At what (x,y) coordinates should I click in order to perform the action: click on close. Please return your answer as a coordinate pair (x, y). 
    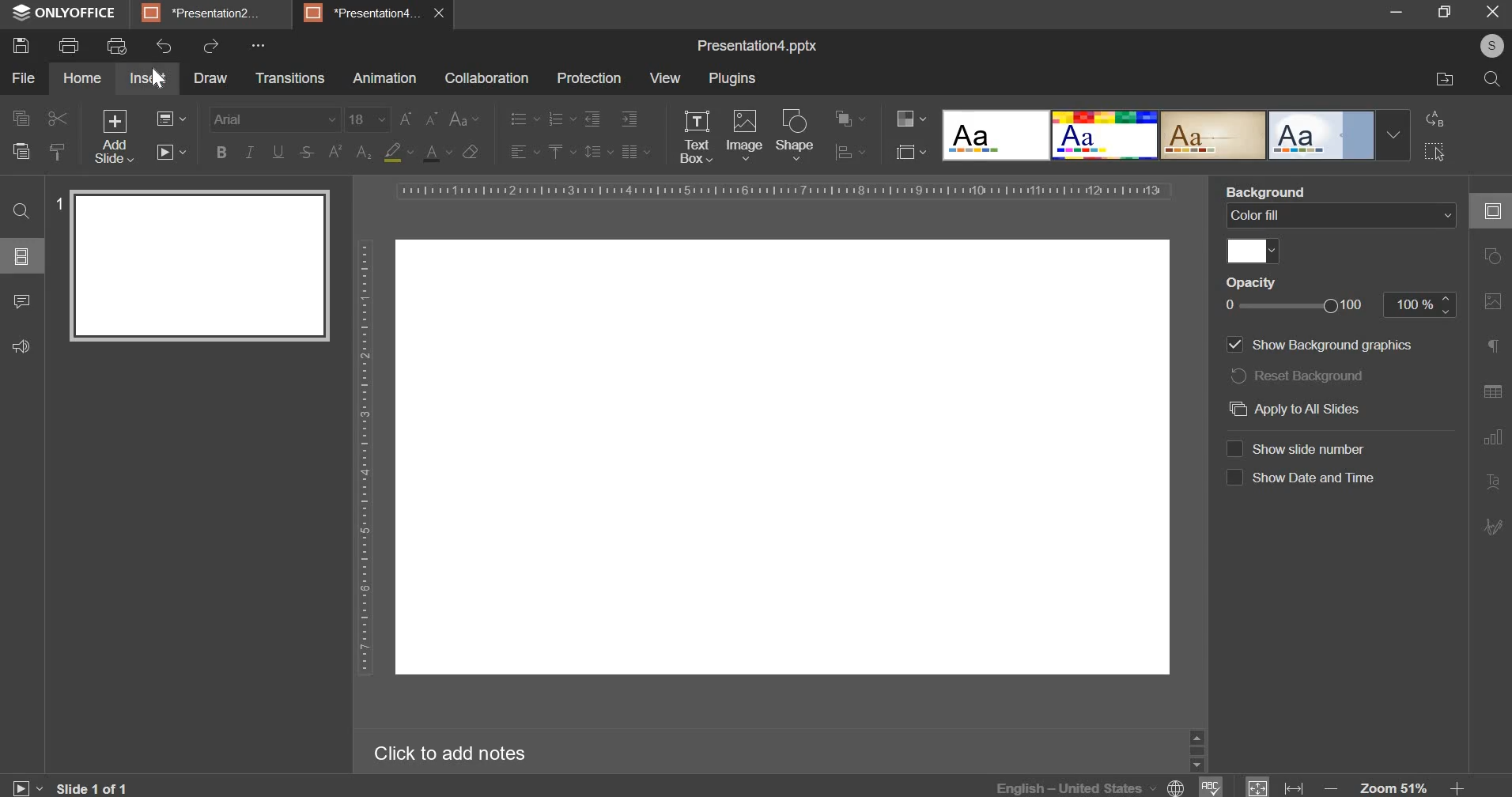
    Looking at the image, I should click on (1493, 12).